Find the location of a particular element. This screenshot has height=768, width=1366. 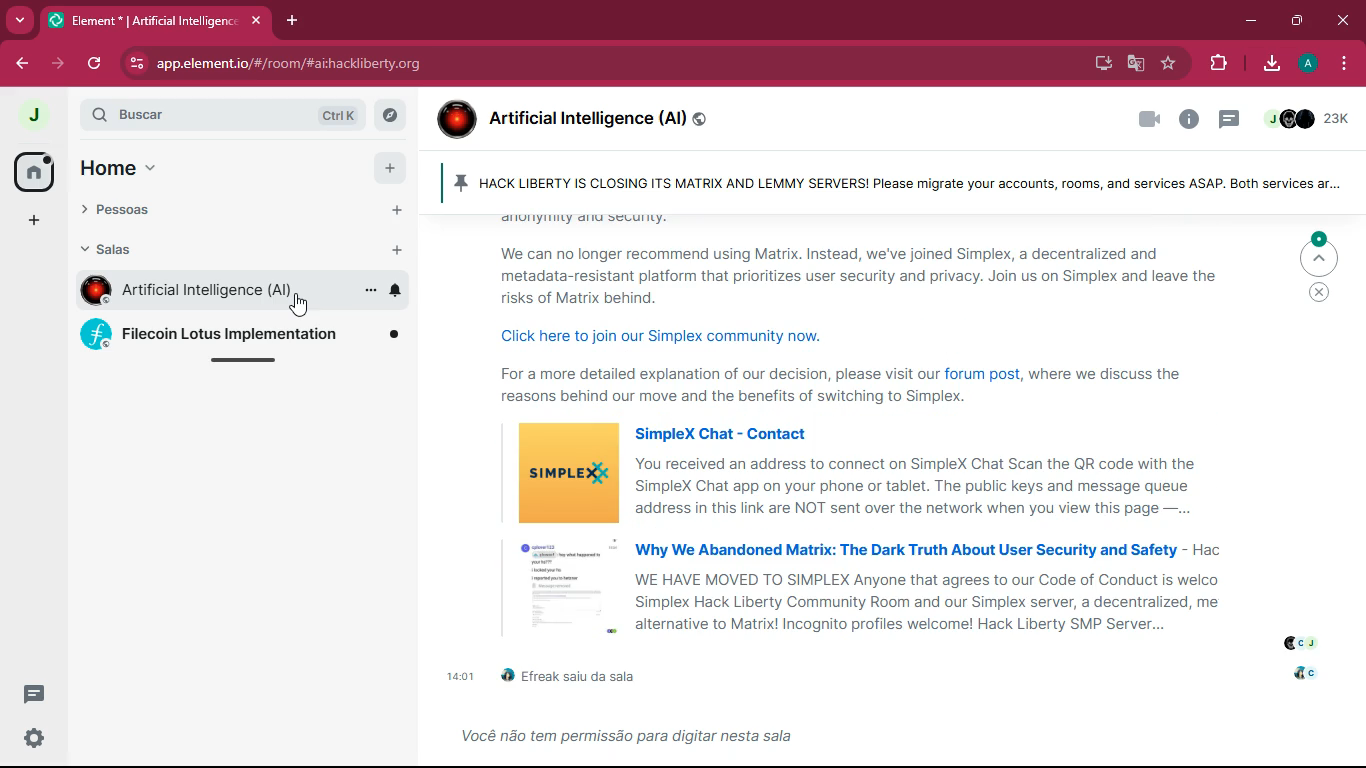

more is located at coordinates (363, 251).